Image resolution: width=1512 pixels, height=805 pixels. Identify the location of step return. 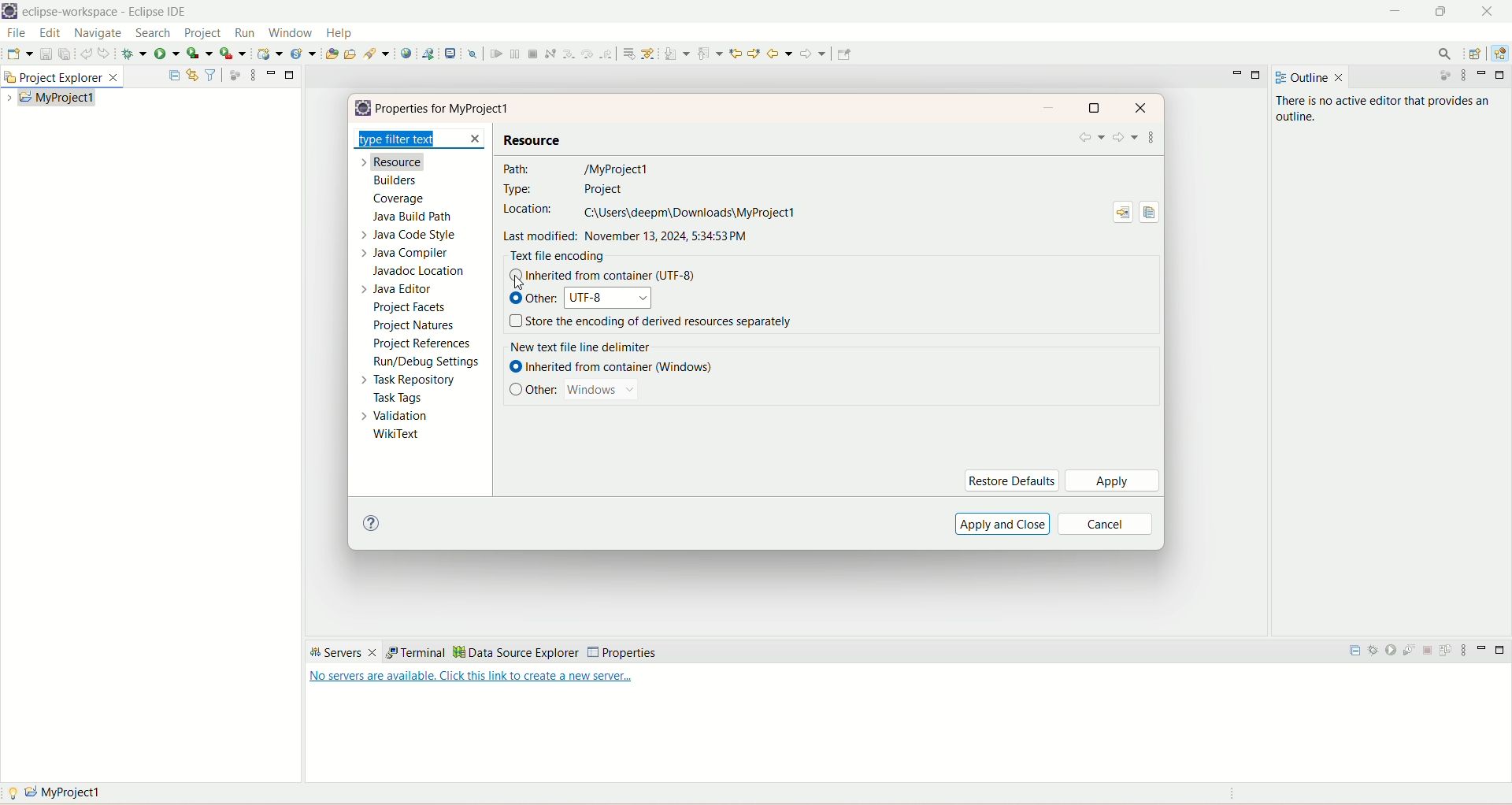
(608, 53).